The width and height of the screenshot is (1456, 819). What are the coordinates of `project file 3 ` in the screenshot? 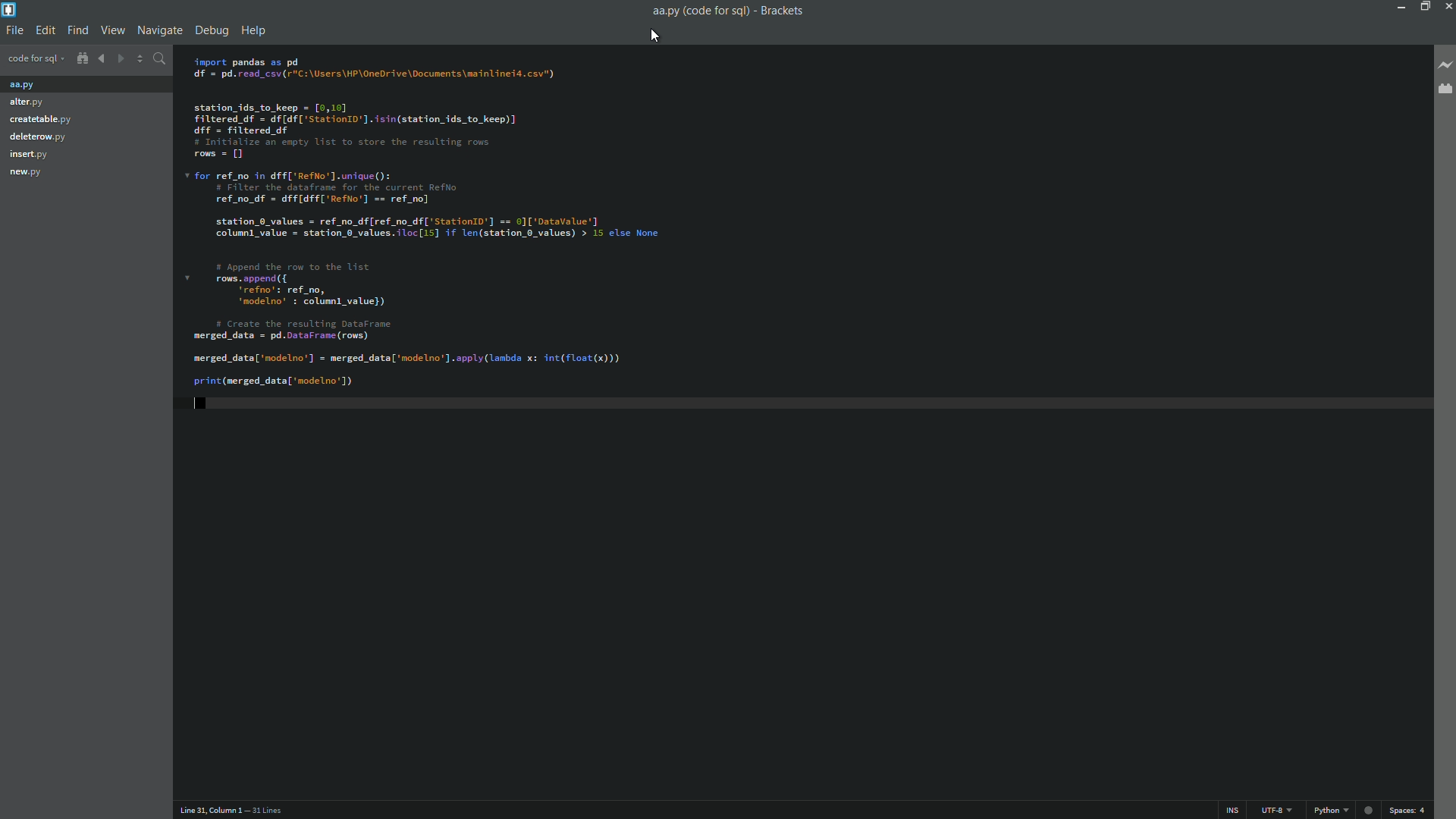 It's located at (45, 119).